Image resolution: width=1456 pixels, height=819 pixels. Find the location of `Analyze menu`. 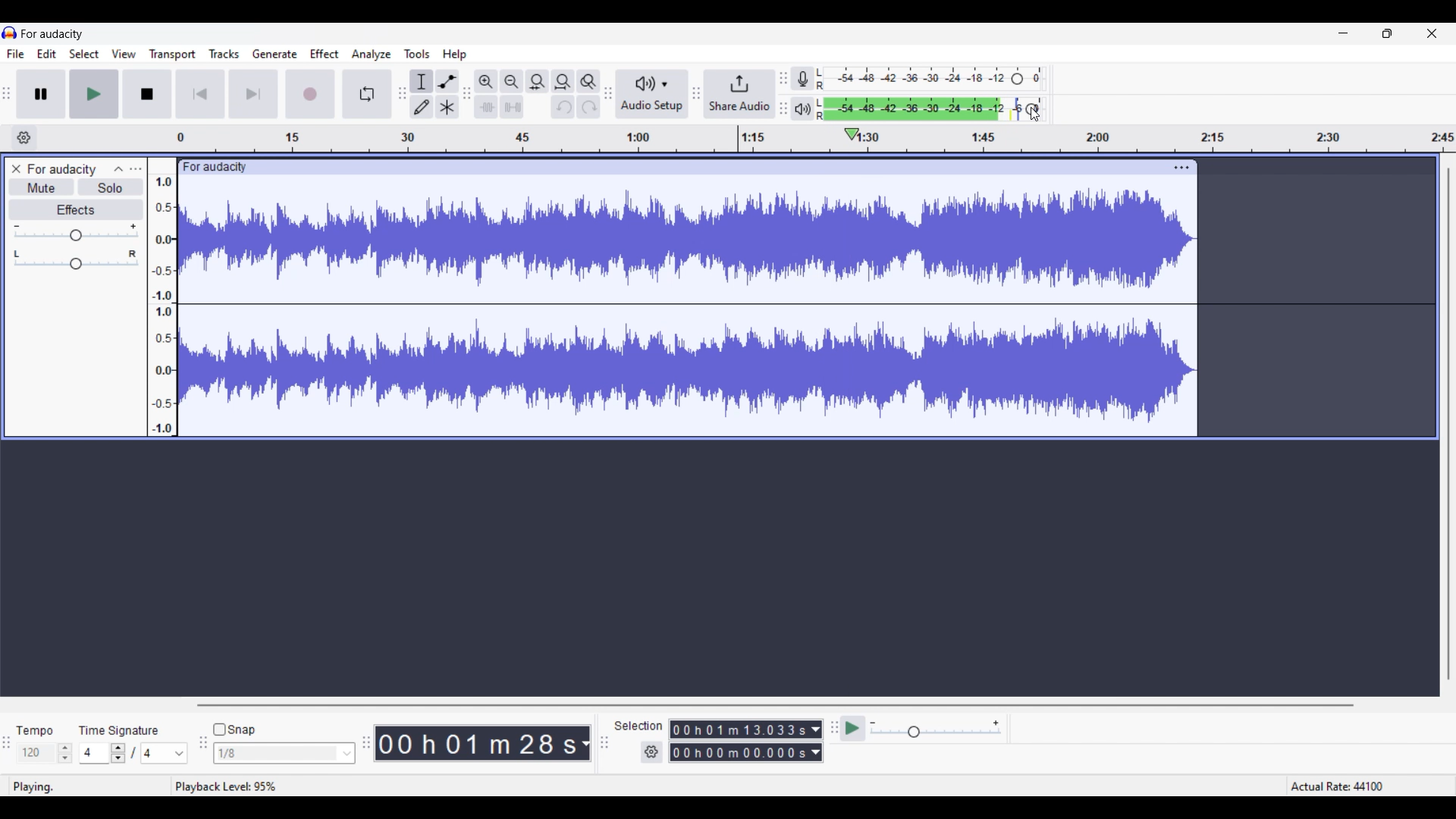

Analyze menu is located at coordinates (372, 54).